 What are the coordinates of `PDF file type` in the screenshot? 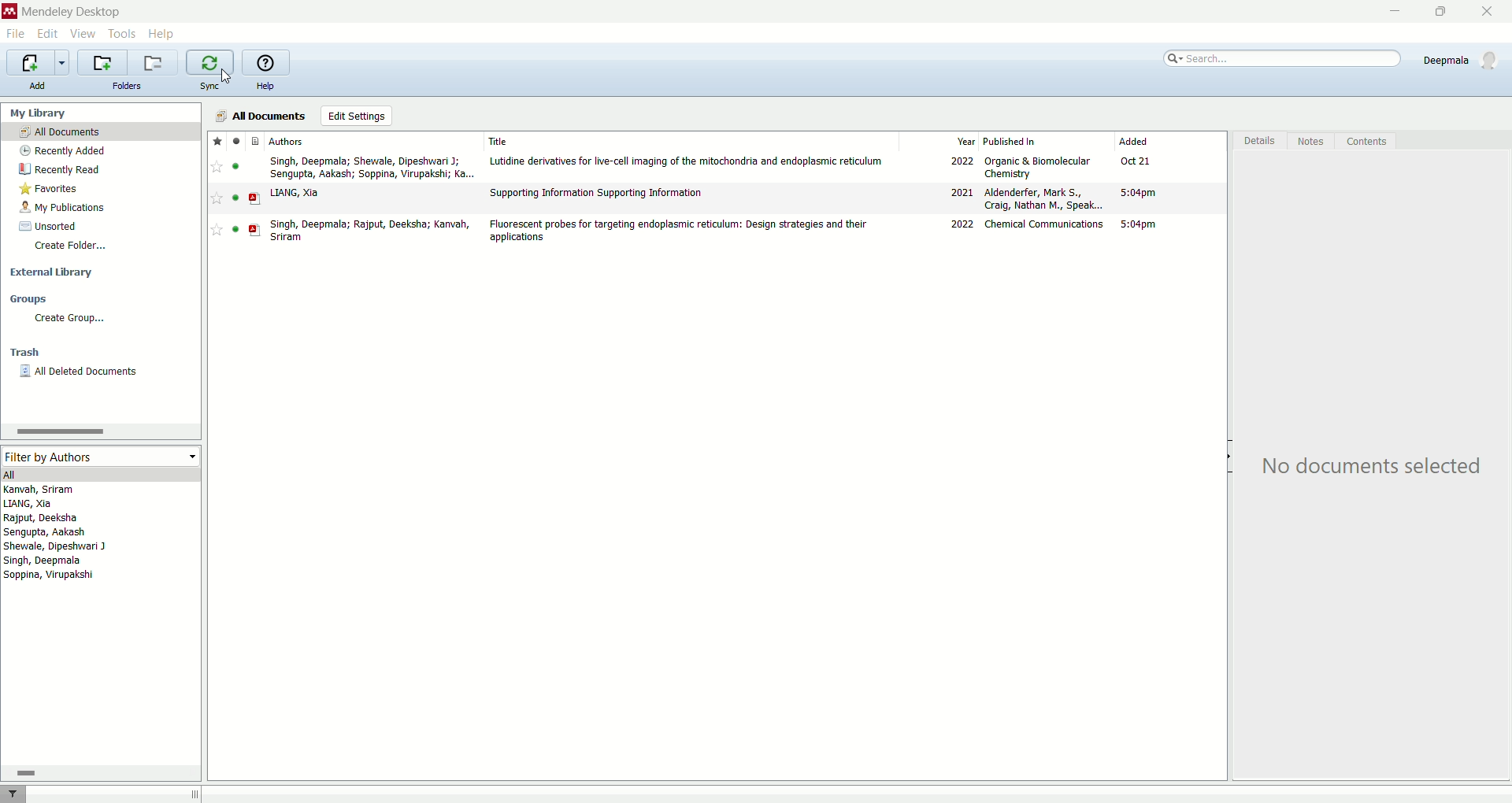 It's located at (255, 198).